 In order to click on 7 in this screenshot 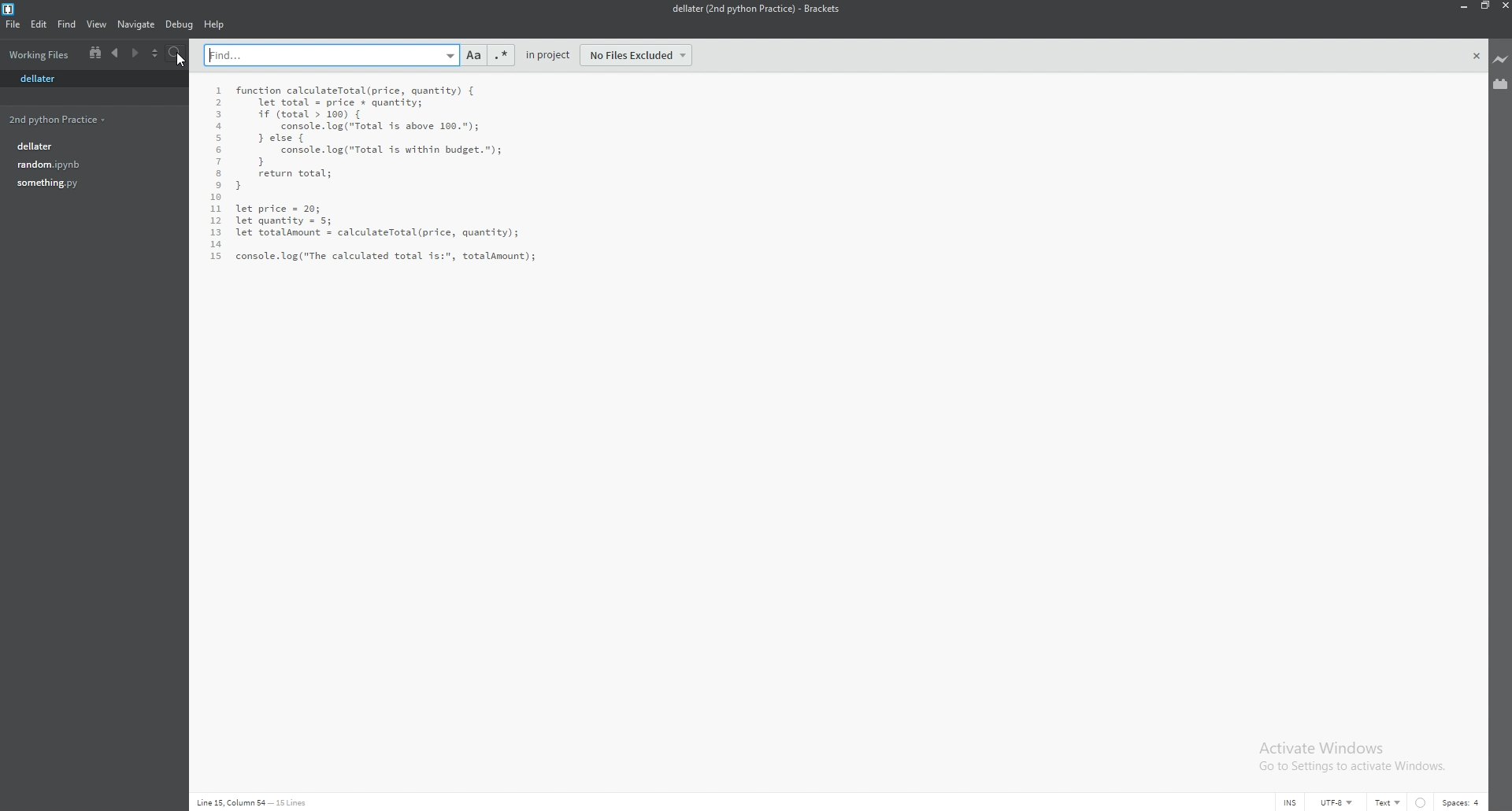, I will do `click(217, 163)`.